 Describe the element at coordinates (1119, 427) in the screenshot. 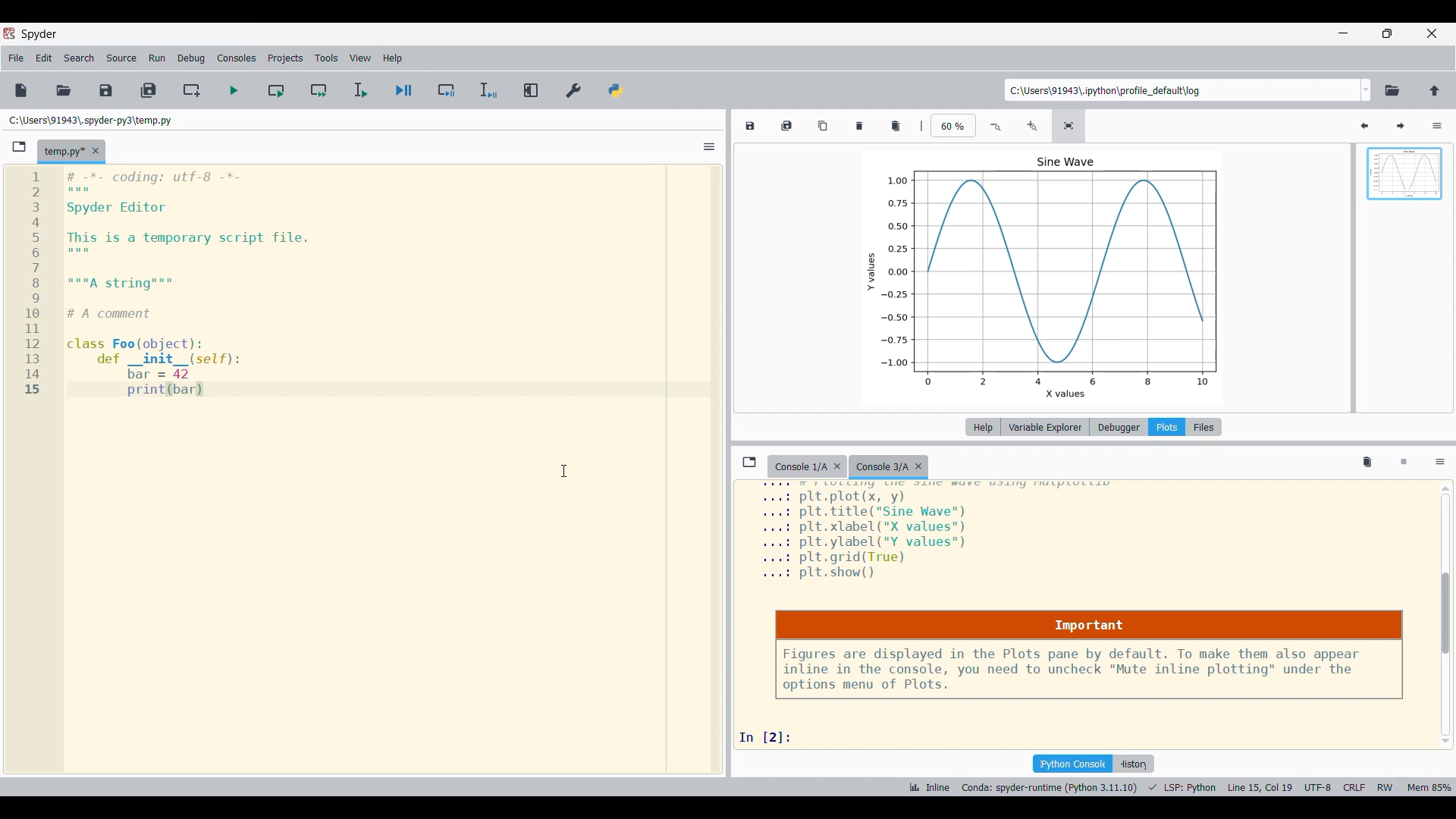

I see `Debugger` at that location.